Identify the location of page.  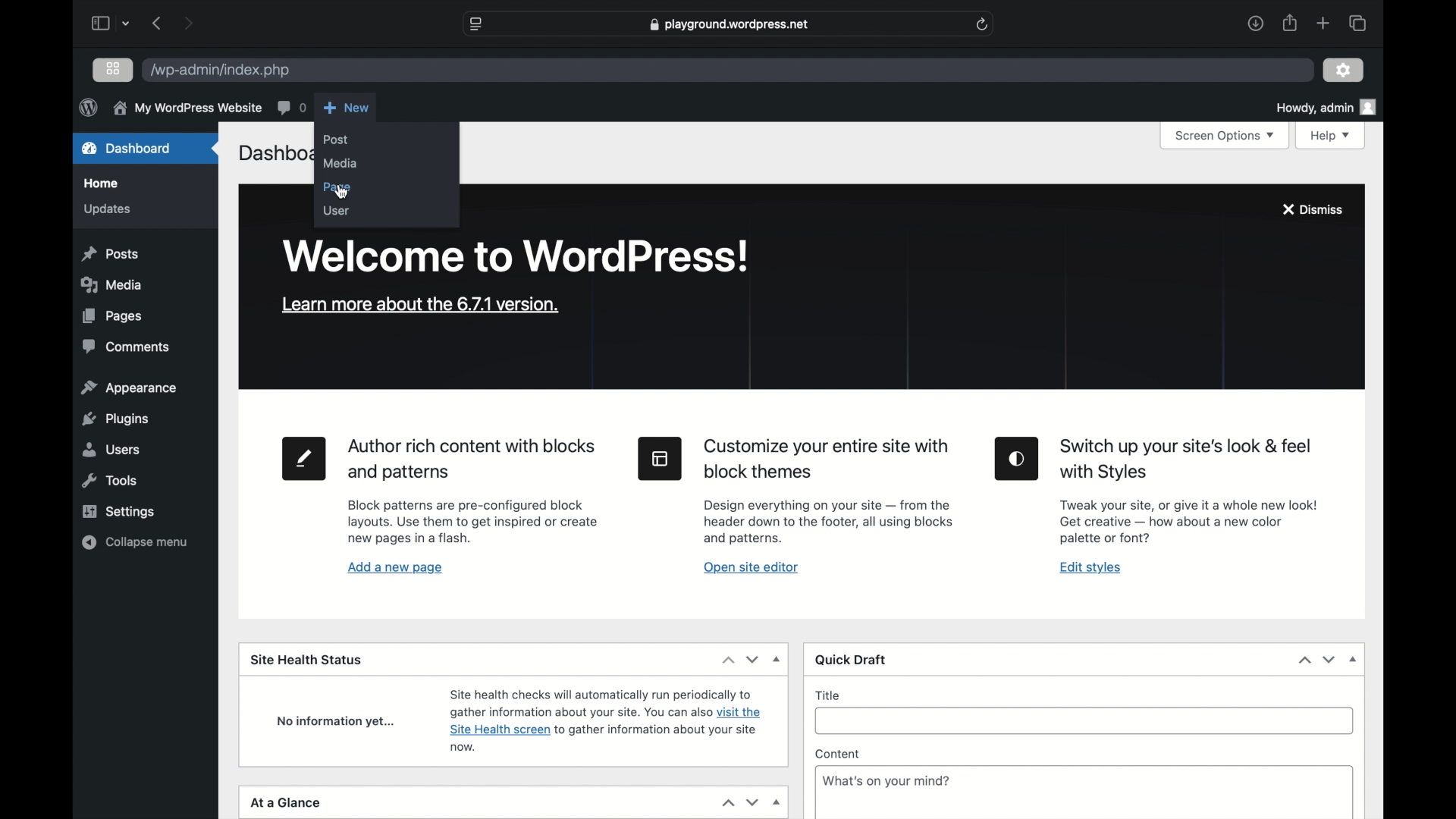
(336, 187).